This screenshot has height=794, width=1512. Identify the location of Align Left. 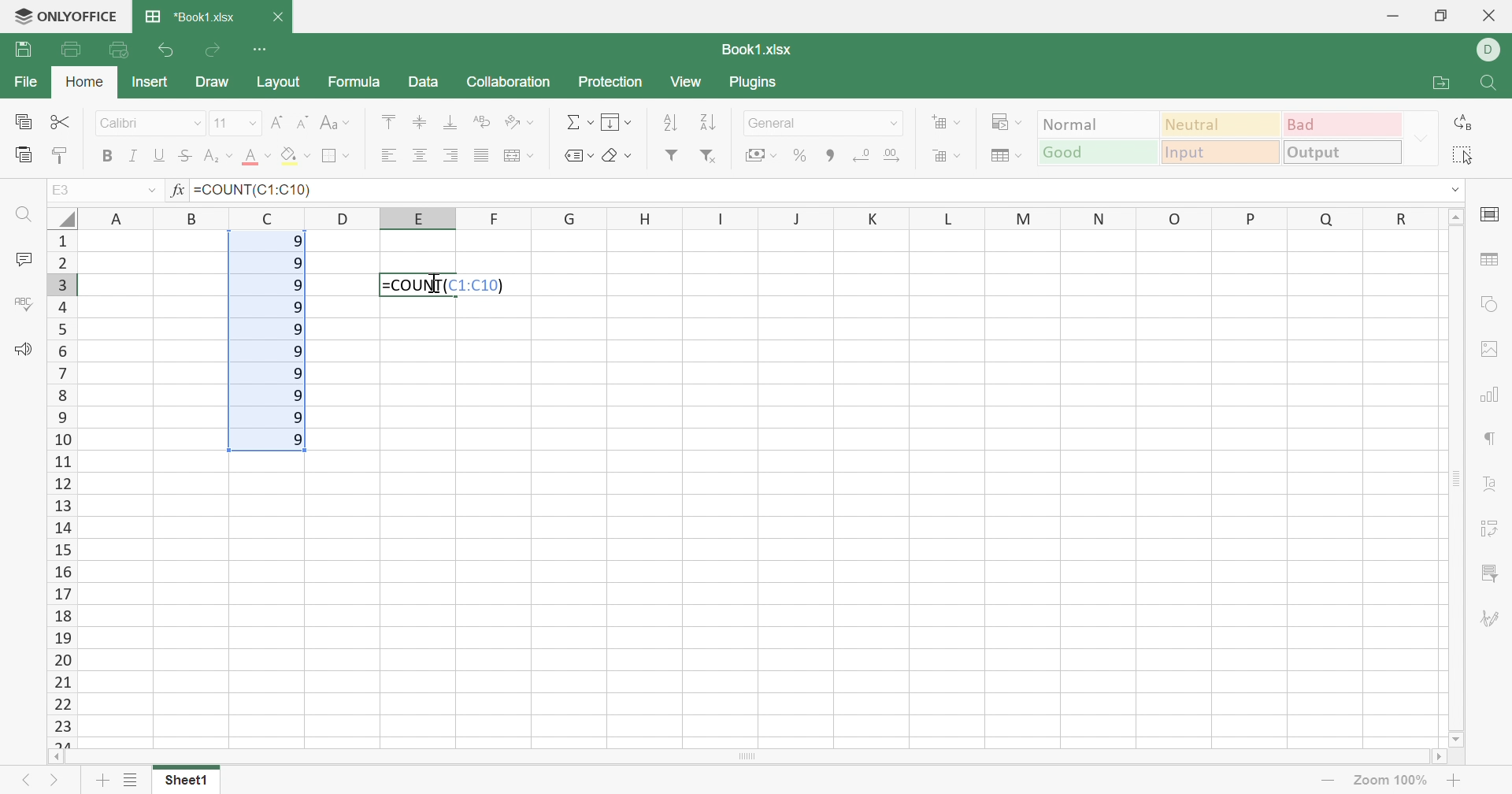
(388, 155).